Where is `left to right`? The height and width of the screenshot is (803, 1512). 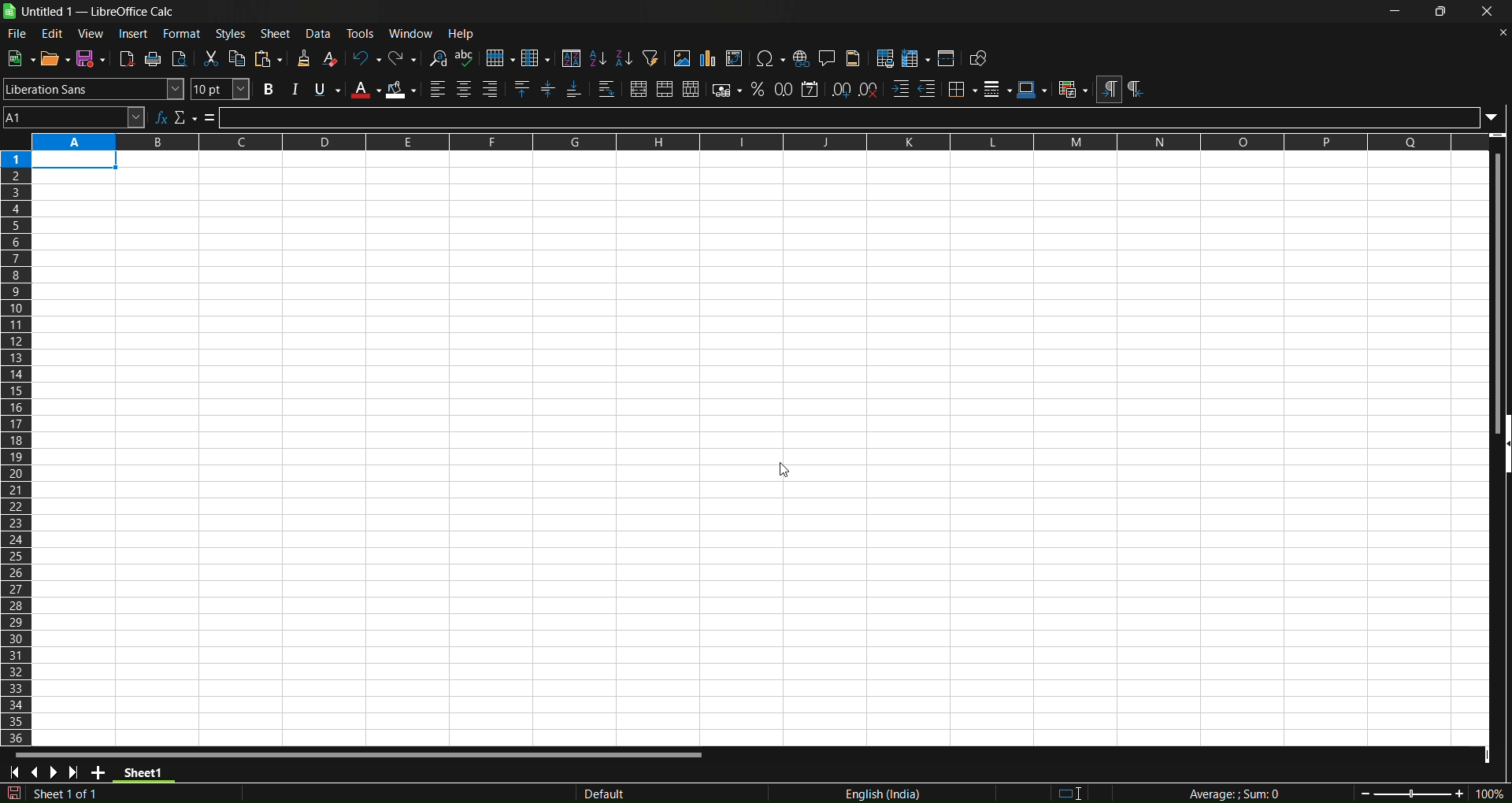 left to right is located at coordinates (1108, 90).